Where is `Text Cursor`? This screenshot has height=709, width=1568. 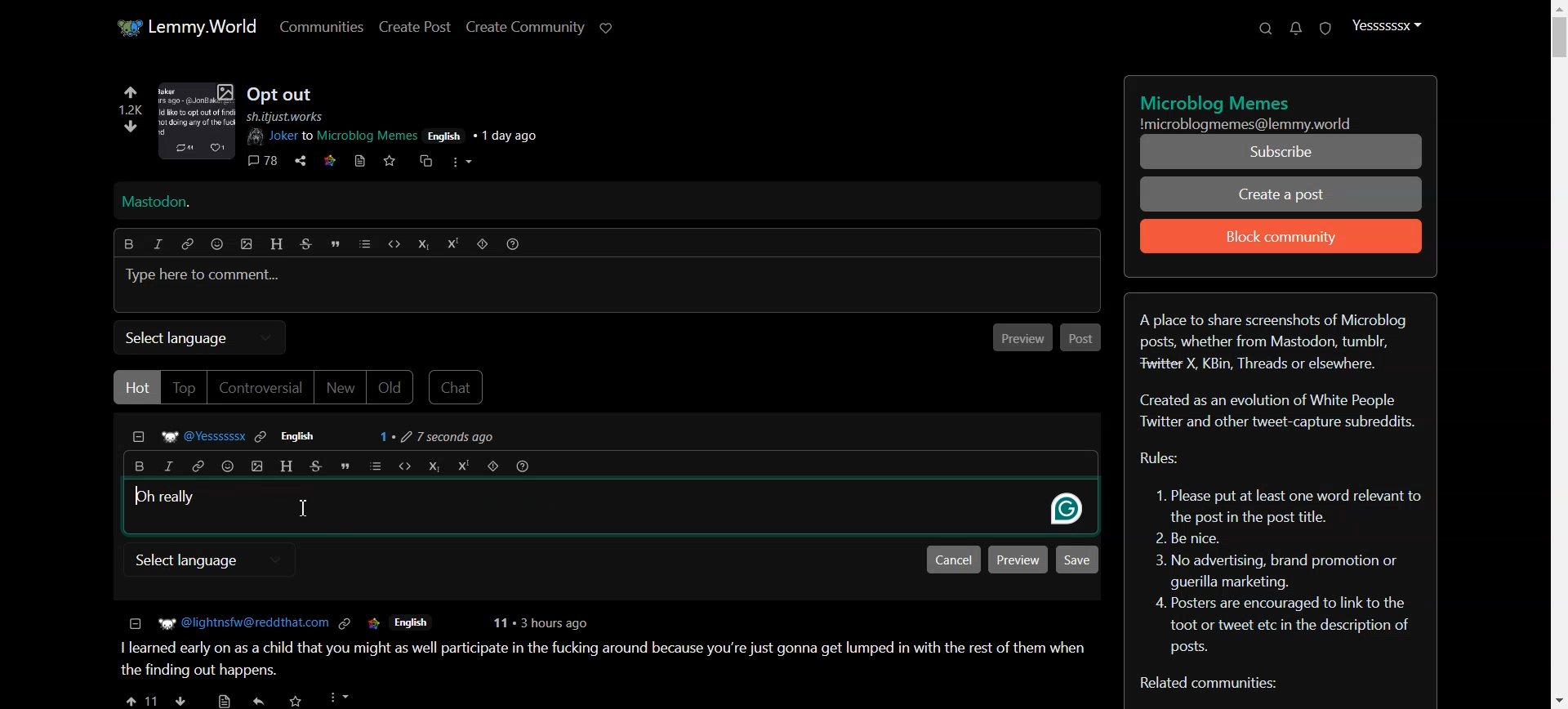
Text Cursor is located at coordinates (306, 509).